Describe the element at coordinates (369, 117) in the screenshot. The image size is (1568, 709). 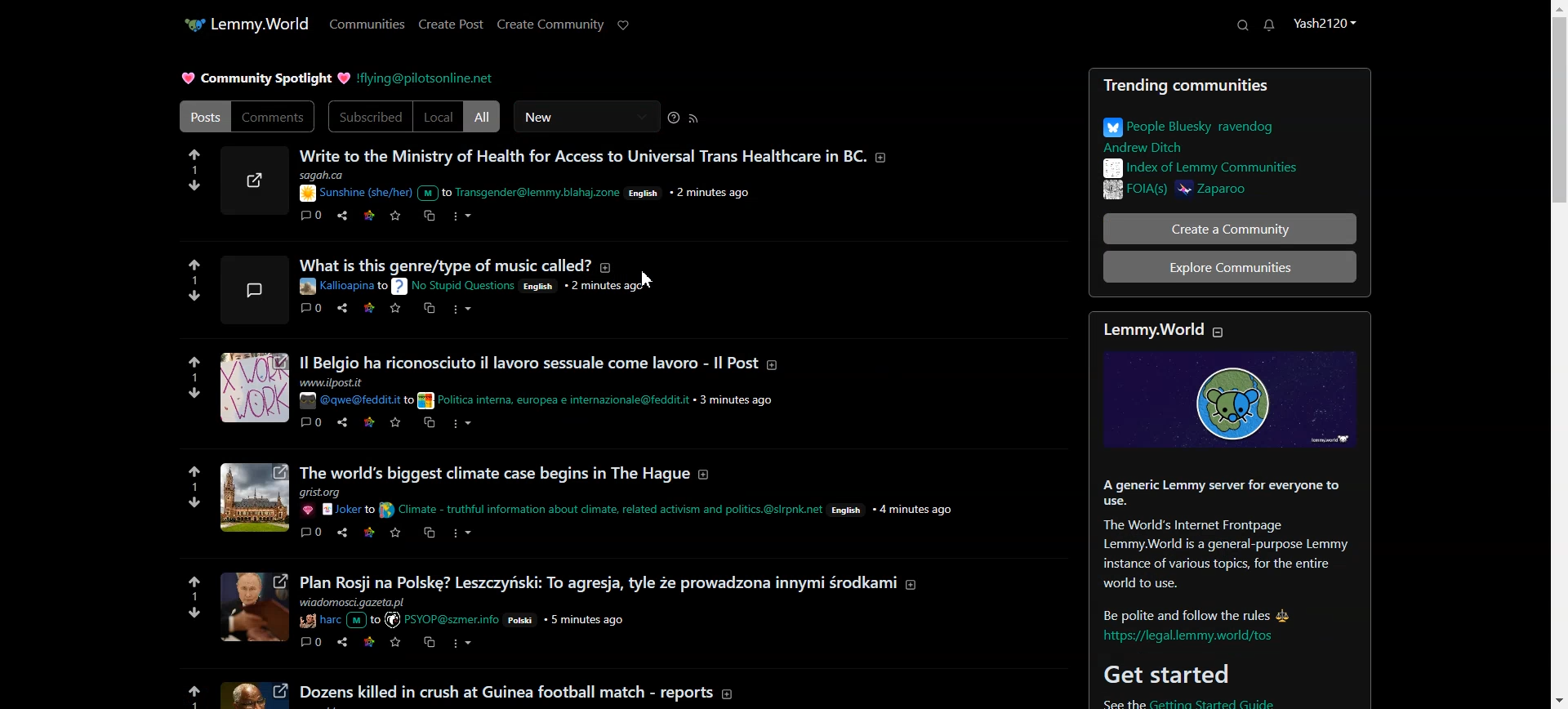
I see `Subscribed` at that location.